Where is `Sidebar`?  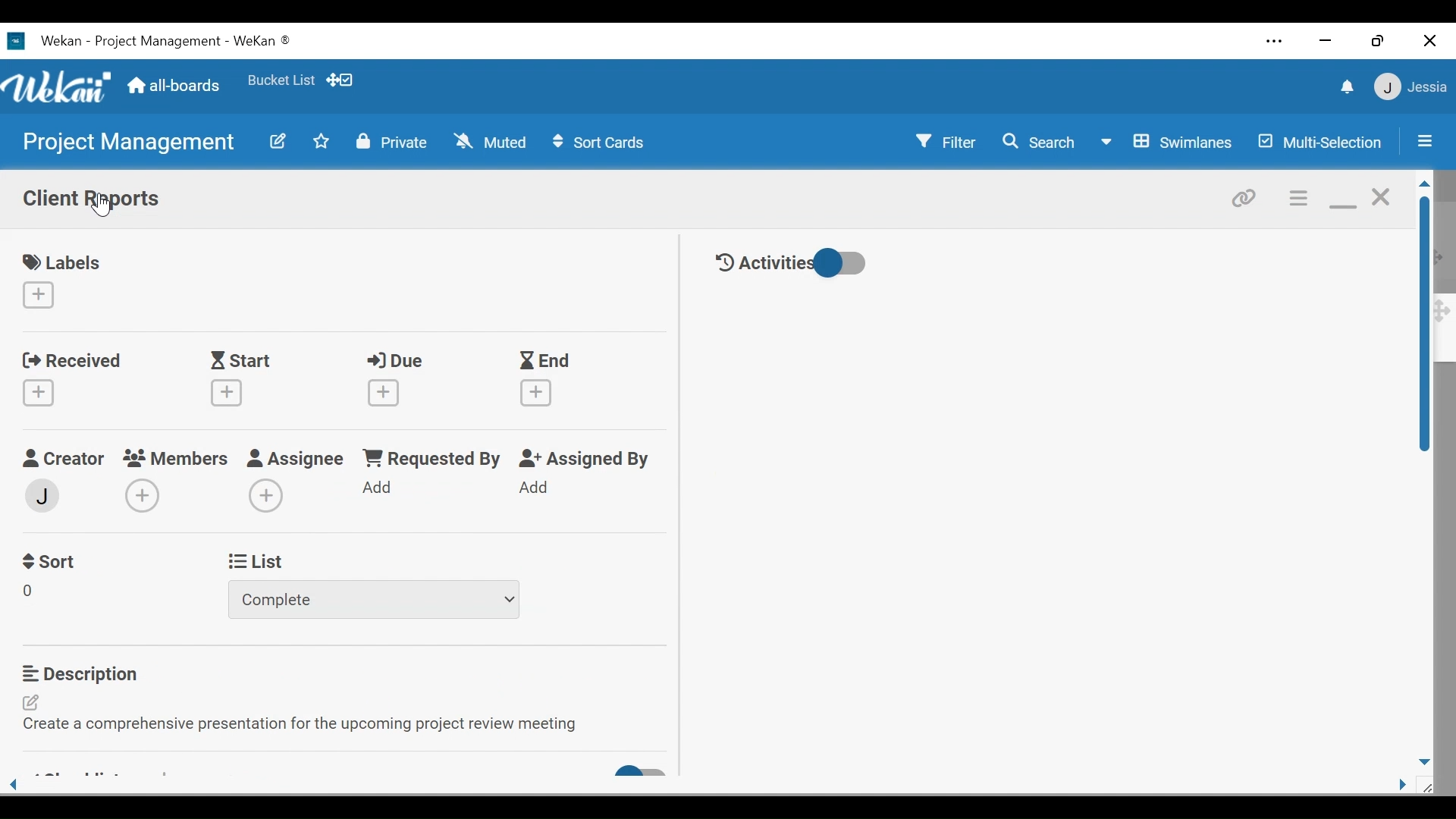 Sidebar is located at coordinates (1426, 140).